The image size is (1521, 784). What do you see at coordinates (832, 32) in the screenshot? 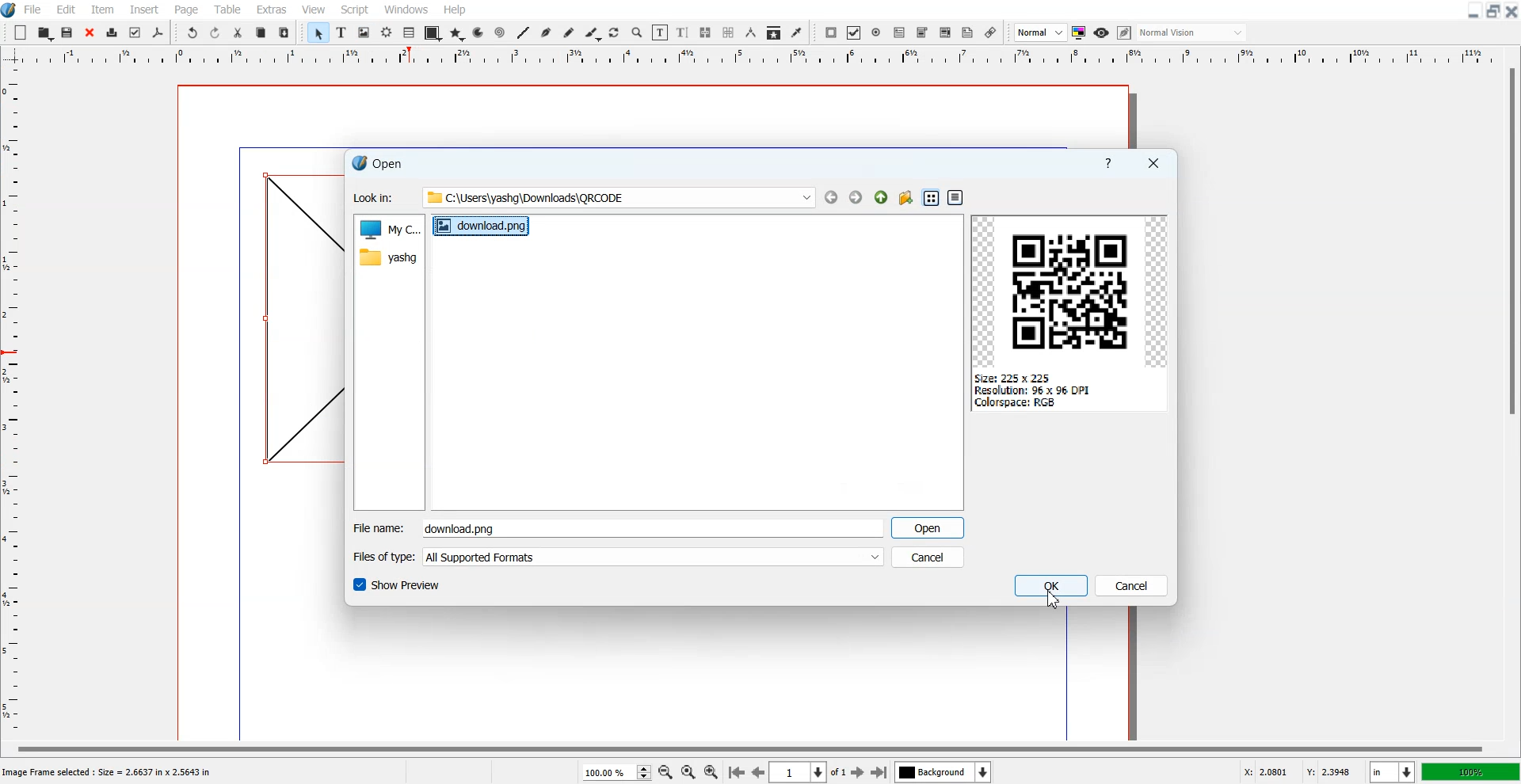
I see `PDF Push Button` at bounding box center [832, 32].